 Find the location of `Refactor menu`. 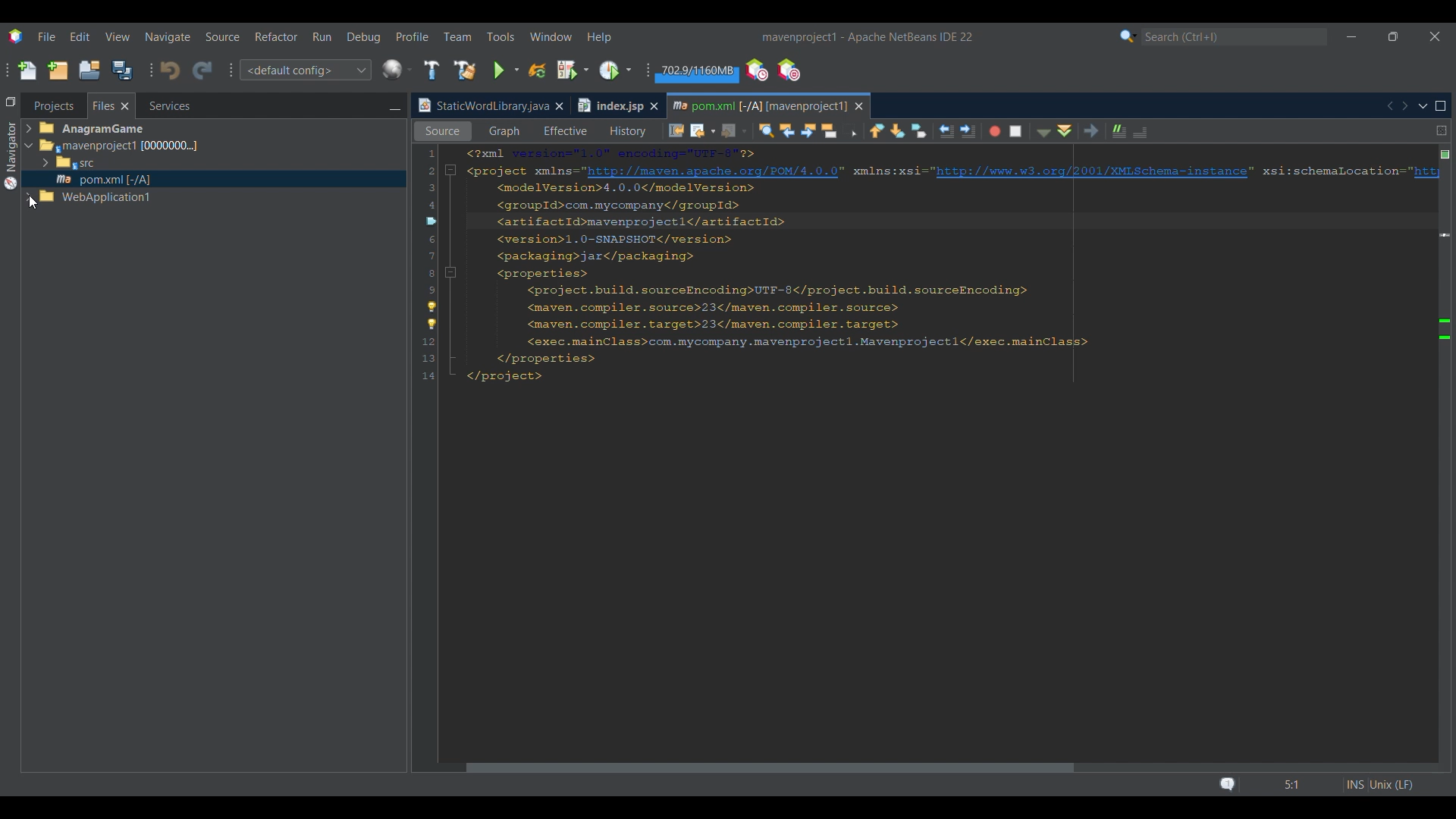

Refactor menu is located at coordinates (275, 36).